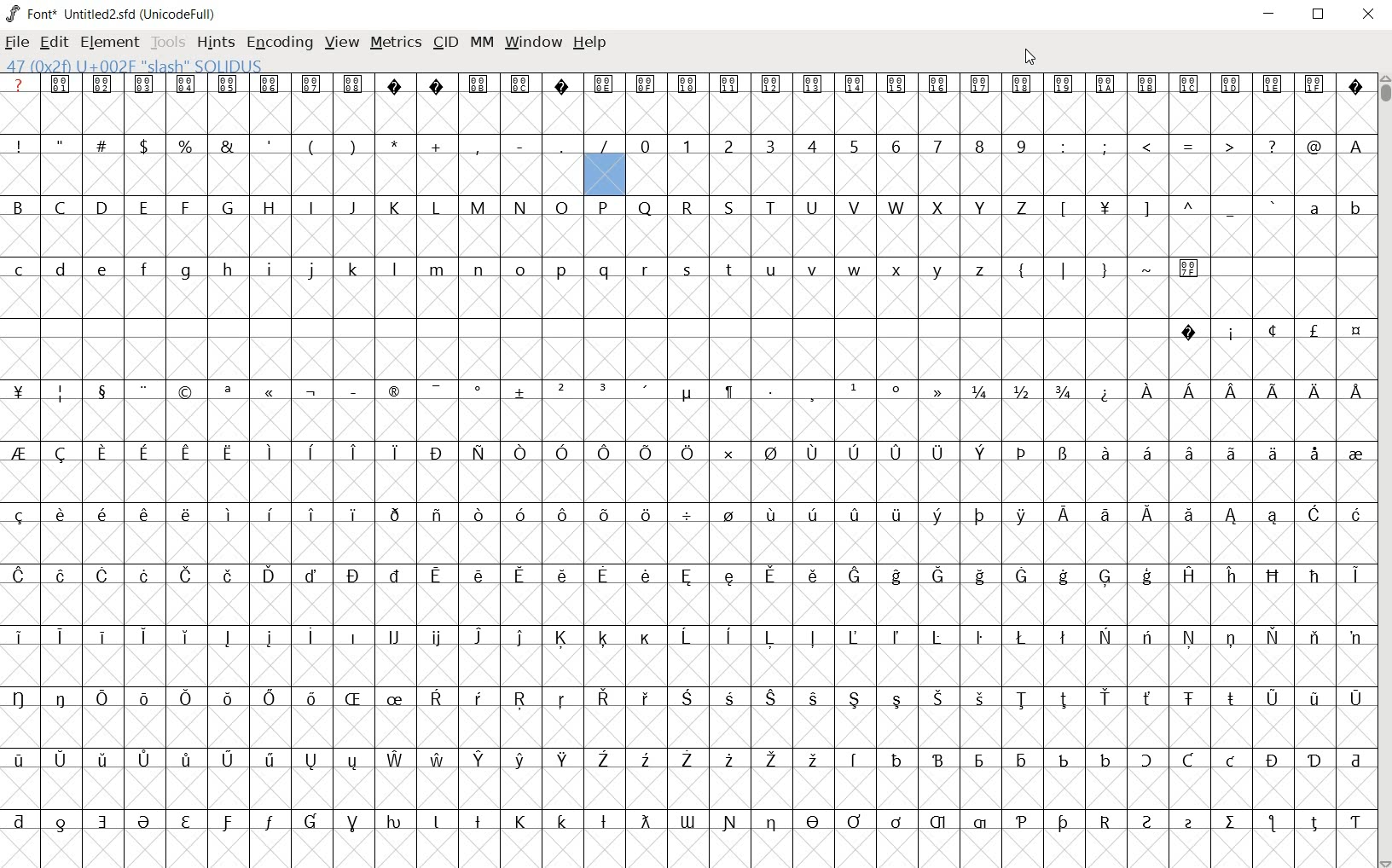 The width and height of the screenshot is (1392, 868). I want to click on CURSOR, so click(1029, 58).